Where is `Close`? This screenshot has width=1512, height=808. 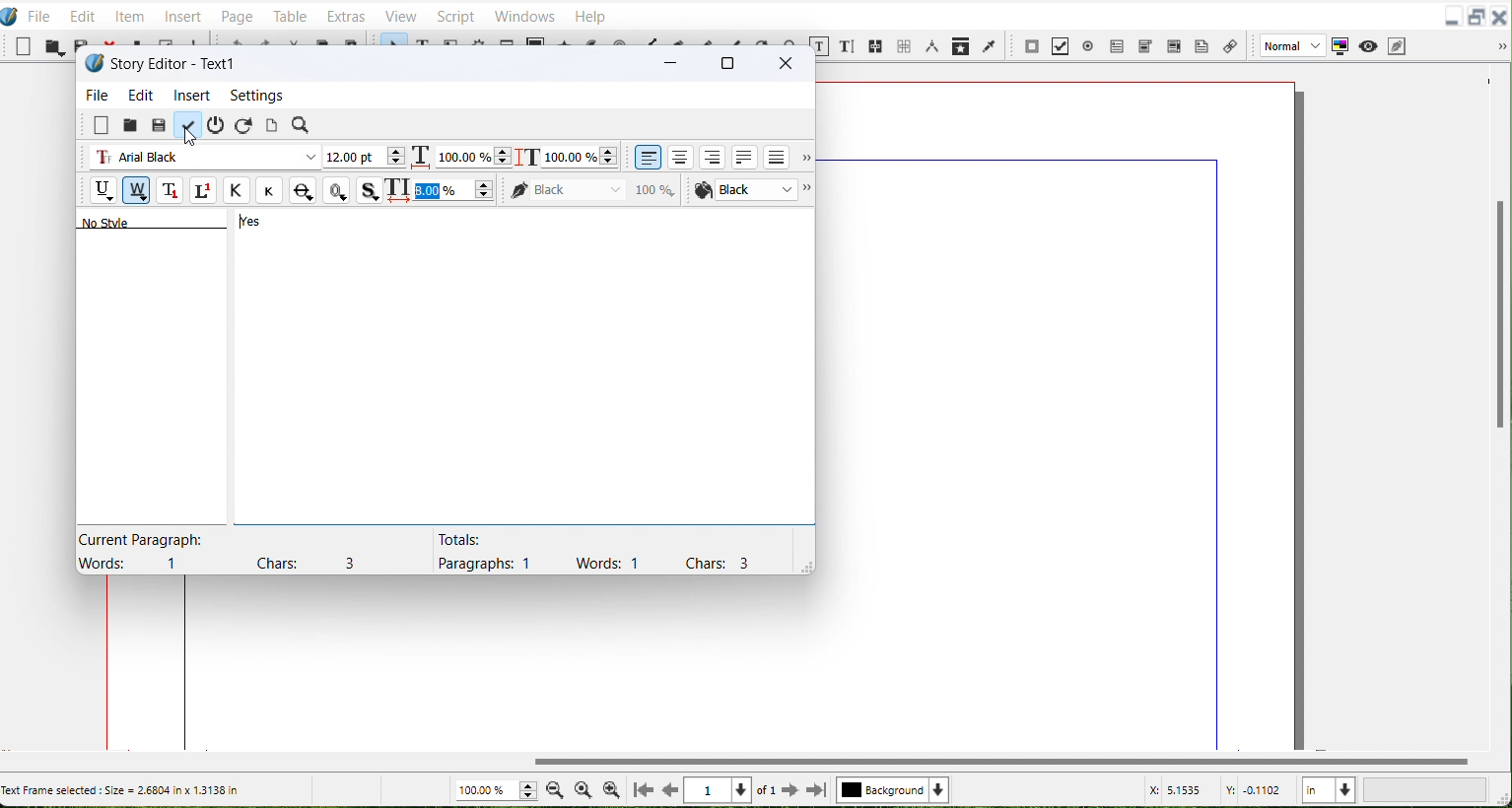
Close is located at coordinates (790, 61).